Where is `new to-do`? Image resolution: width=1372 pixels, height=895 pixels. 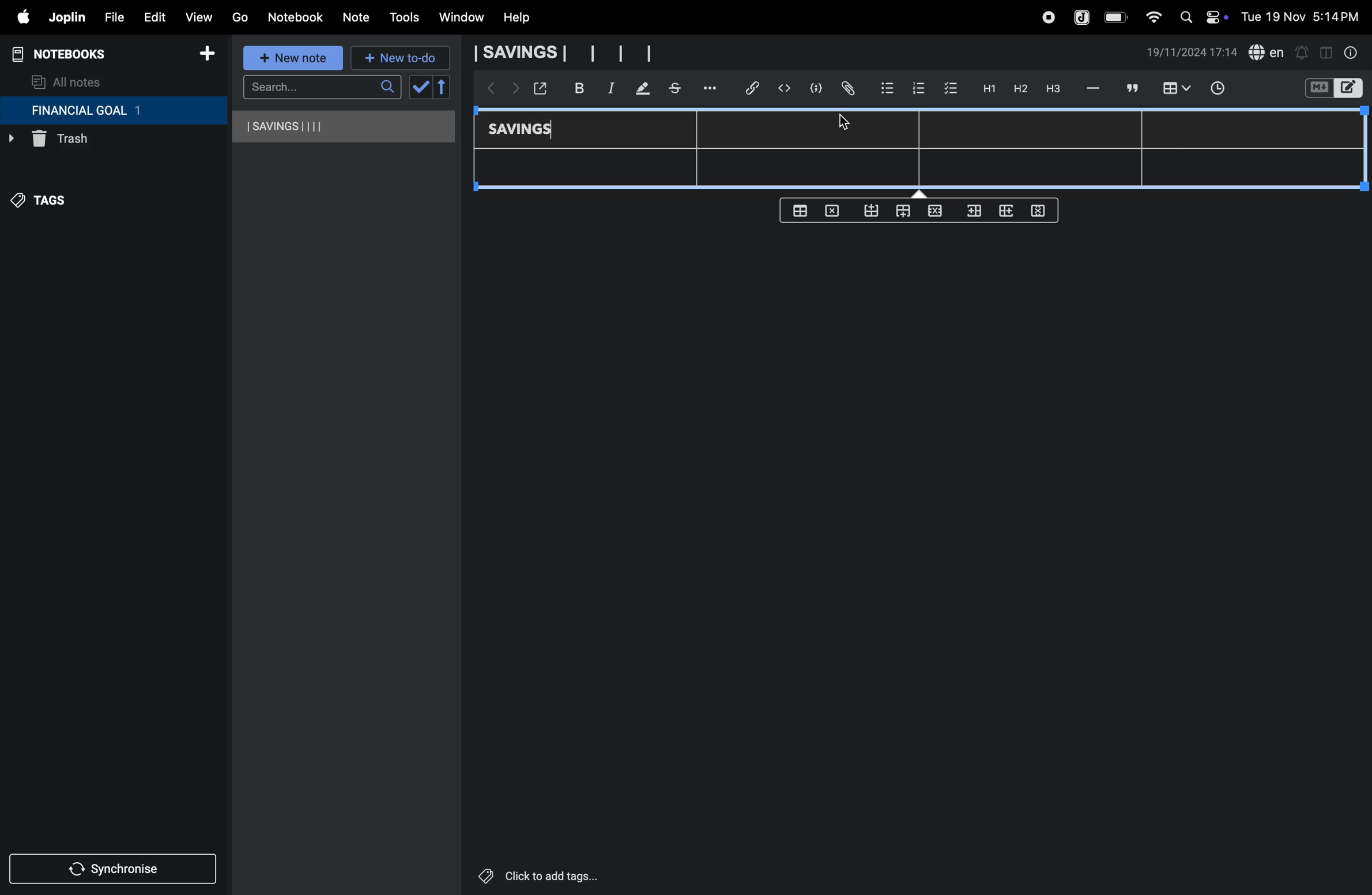 new to-do is located at coordinates (401, 59).